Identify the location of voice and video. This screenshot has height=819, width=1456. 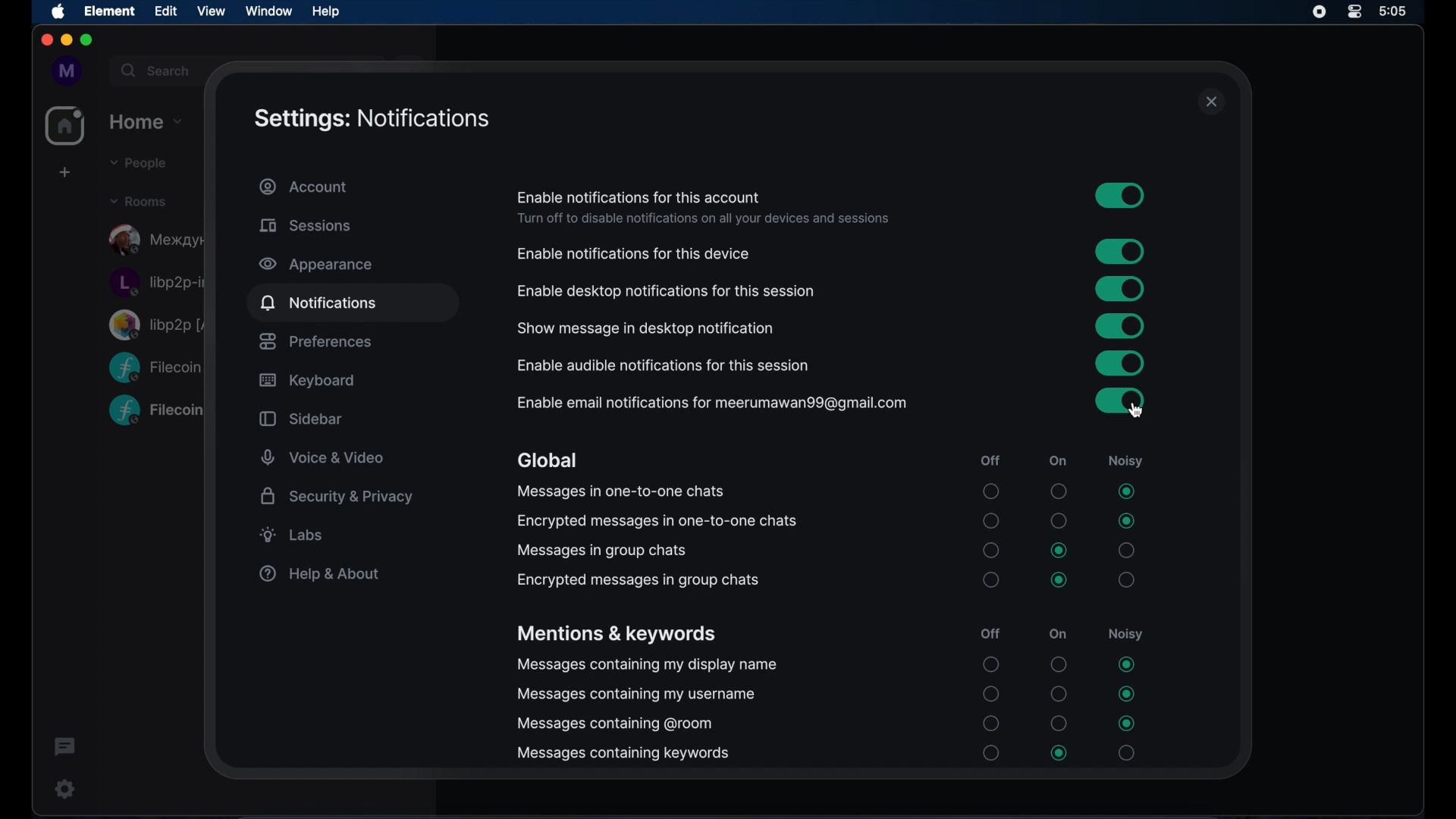
(323, 458).